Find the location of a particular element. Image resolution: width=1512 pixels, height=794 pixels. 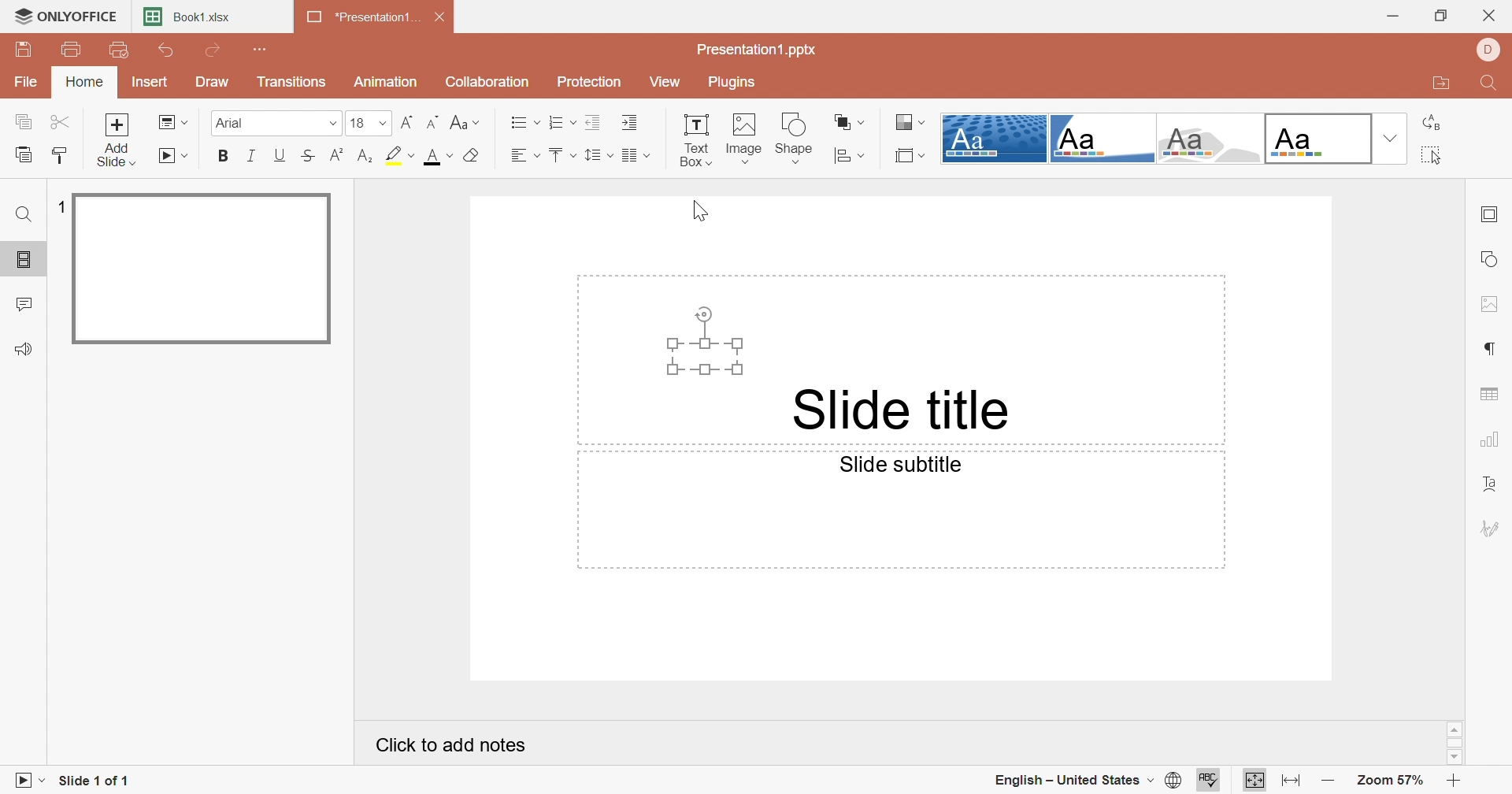

Start slide is located at coordinates (24, 781).